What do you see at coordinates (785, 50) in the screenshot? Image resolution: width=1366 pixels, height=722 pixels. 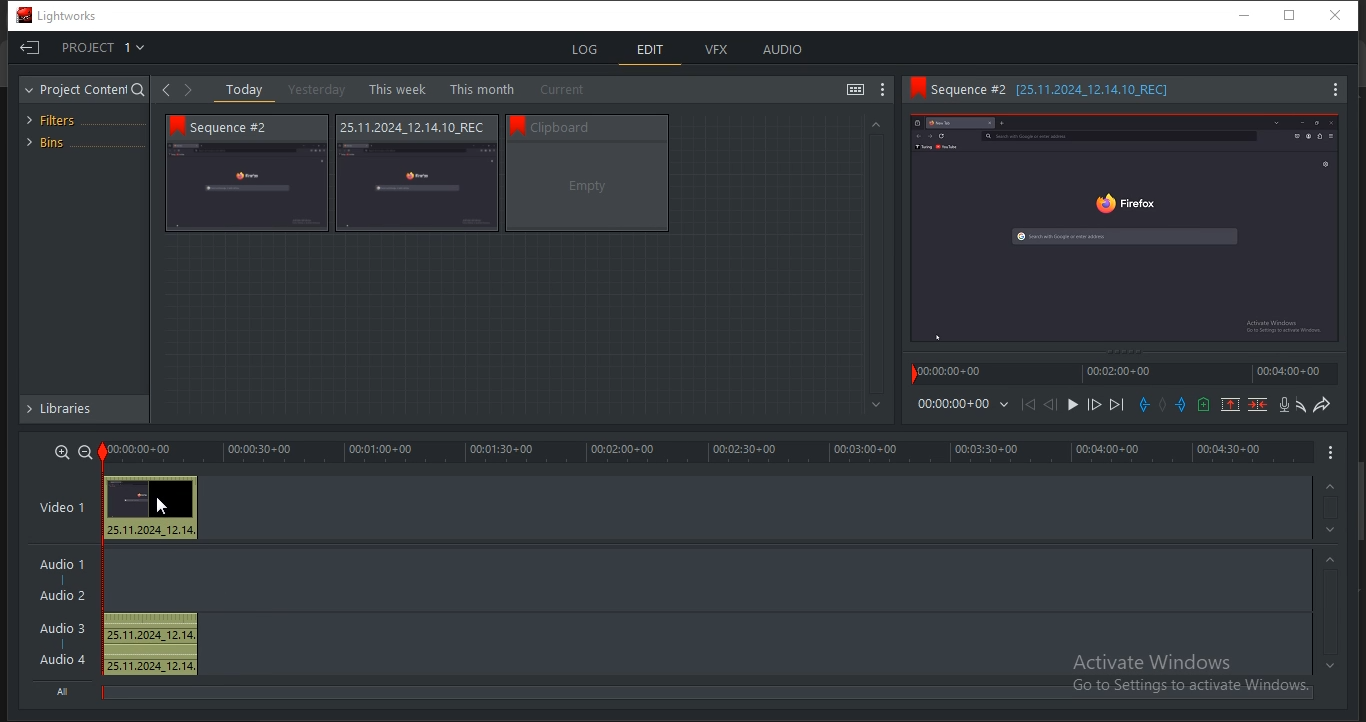 I see `audio` at bounding box center [785, 50].